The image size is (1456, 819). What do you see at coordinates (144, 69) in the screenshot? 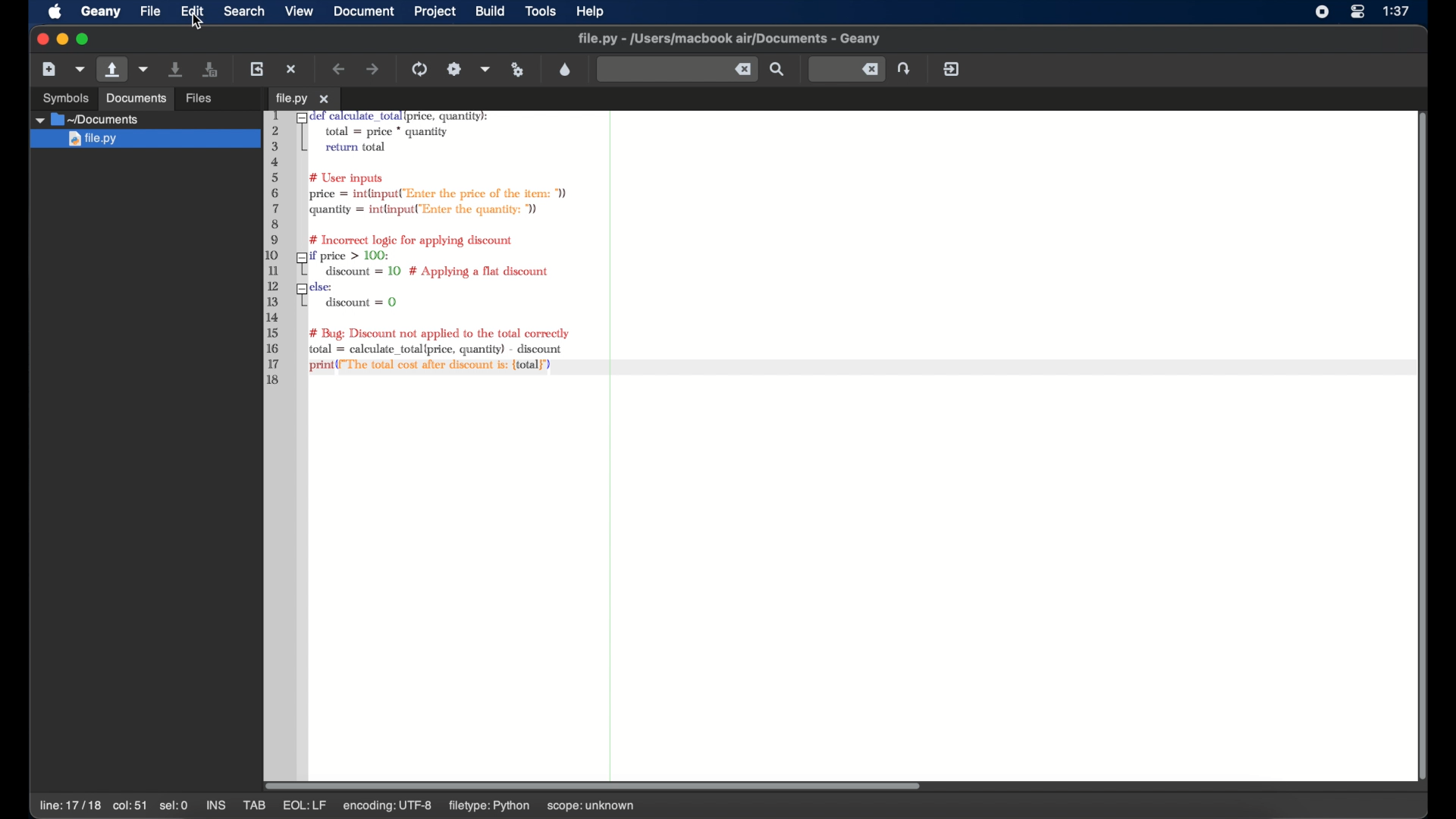
I see `open a recent file` at bounding box center [144, 69].